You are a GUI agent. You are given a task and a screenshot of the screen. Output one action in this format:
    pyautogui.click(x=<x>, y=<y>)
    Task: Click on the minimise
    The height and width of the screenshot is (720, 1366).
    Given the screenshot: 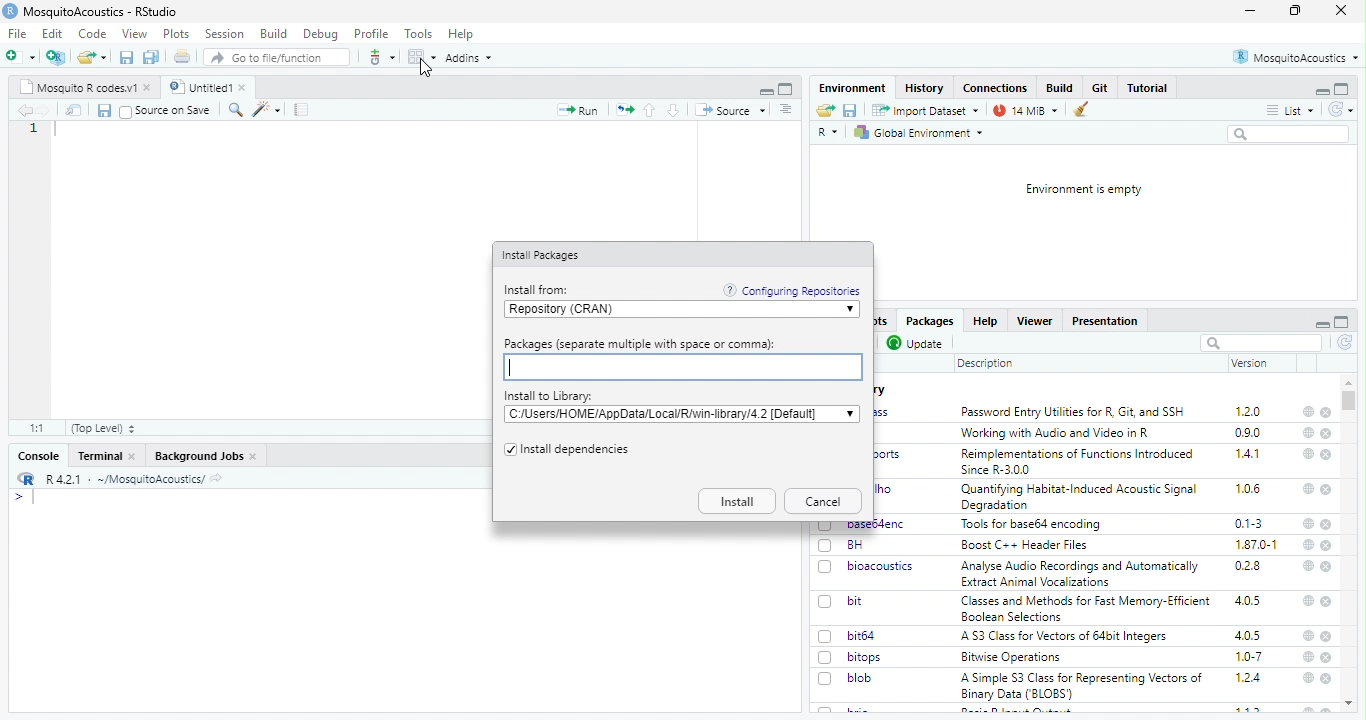 What is the action you would take?
    pyautogui.click(x=1251, y=11)
    